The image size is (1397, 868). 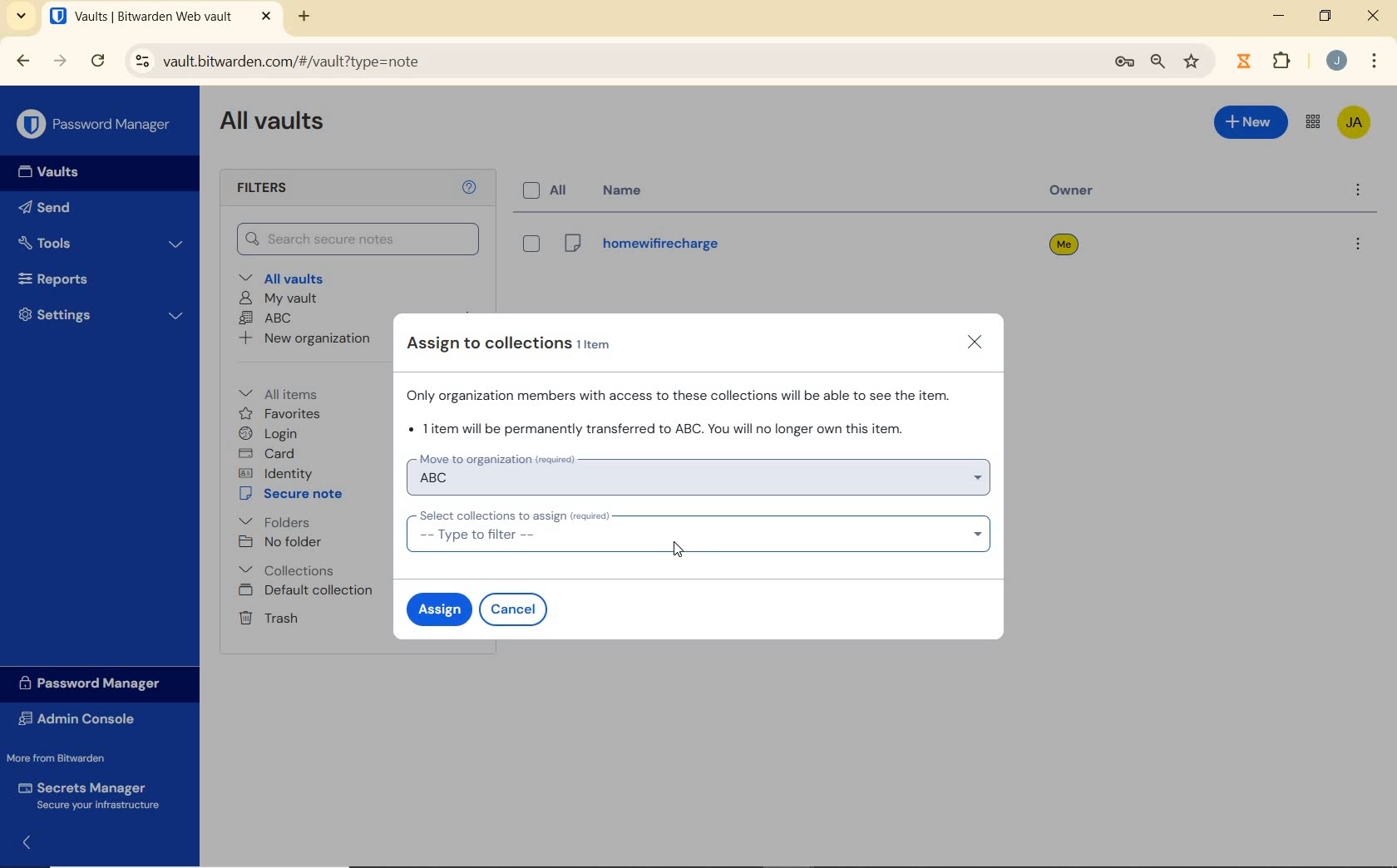 What do you see at coordinates (1242, 62) in the screenshot?
I see `extensions` at bounding box center [1242, 62].